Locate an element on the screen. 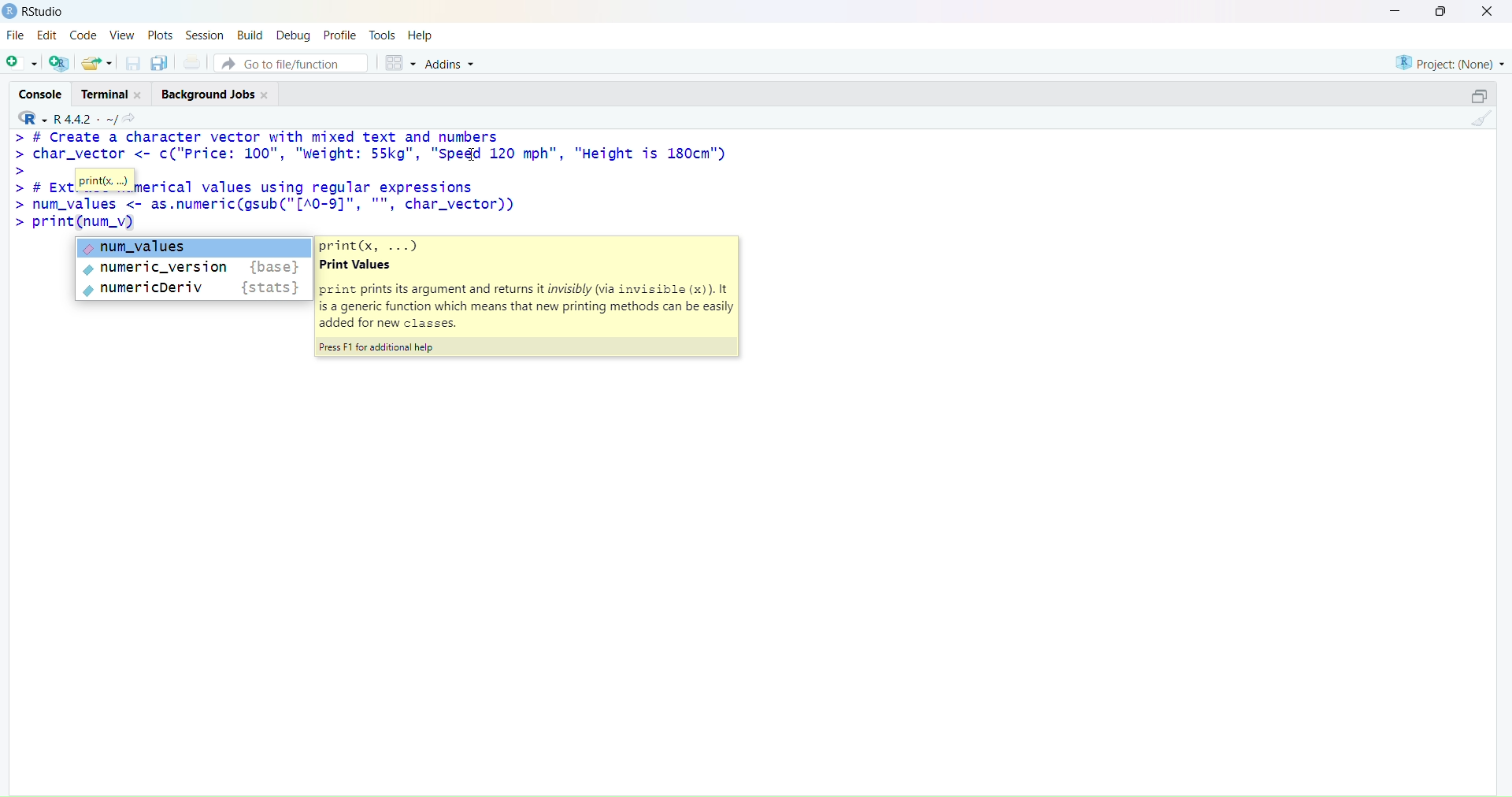  edit is located at coordinates (49, 35).